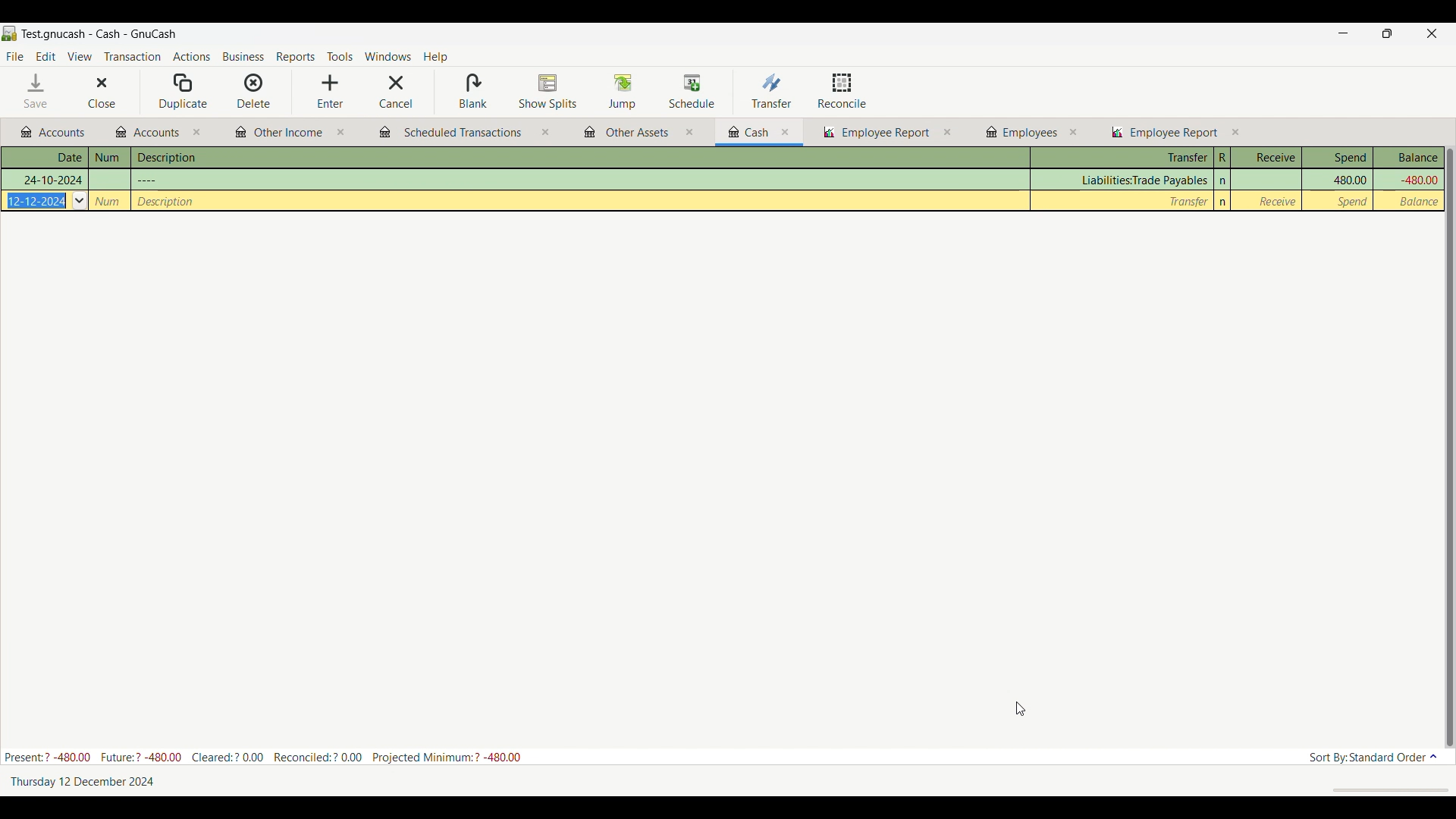 The width and height of the screenshot is (1456, 819). What do you see at coordinates (52, 180) in the screenshot?
I see `` at bounding box center [52, 180].